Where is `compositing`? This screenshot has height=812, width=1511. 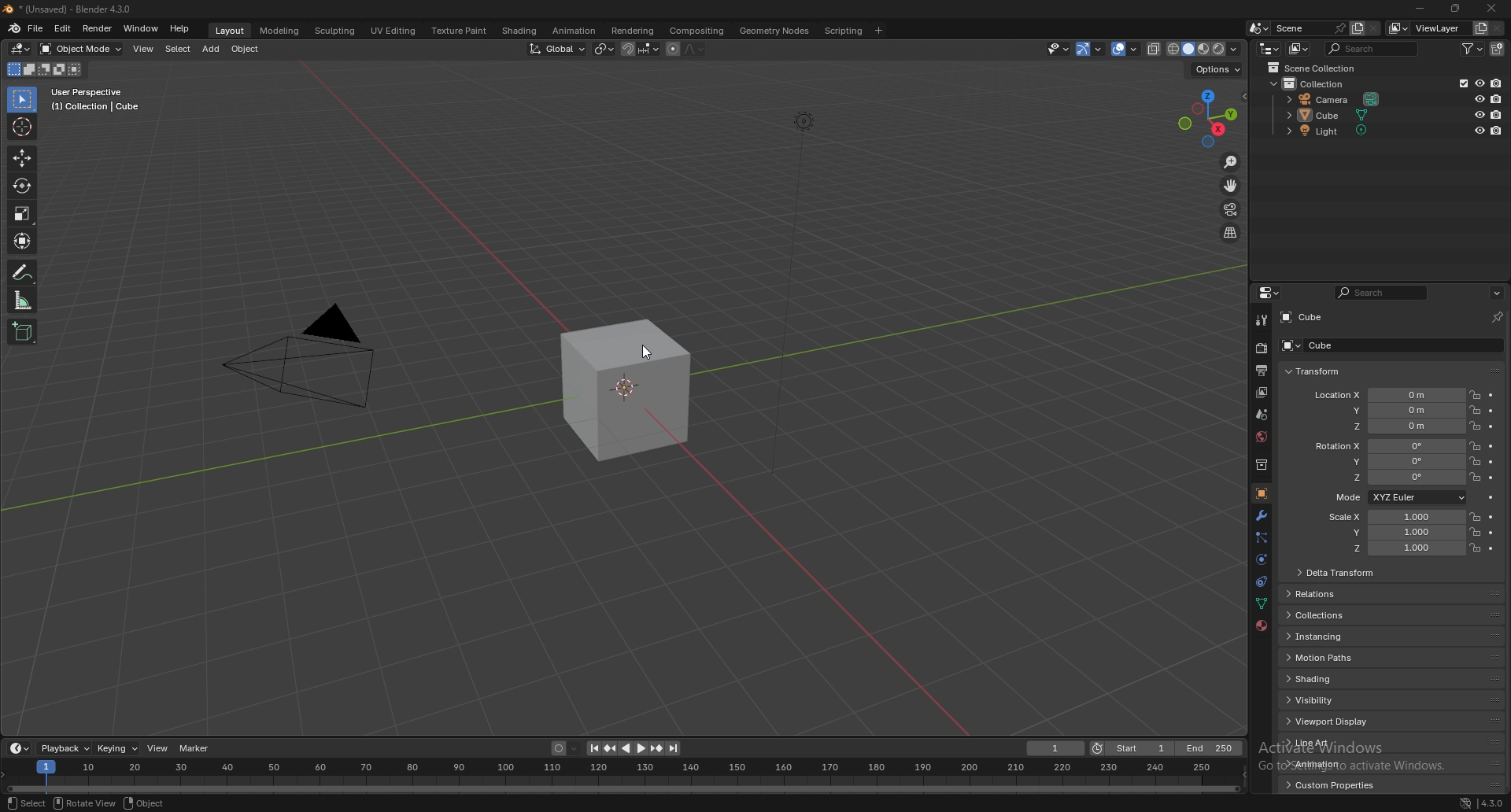 compositing is located at coordinates (696, 31).